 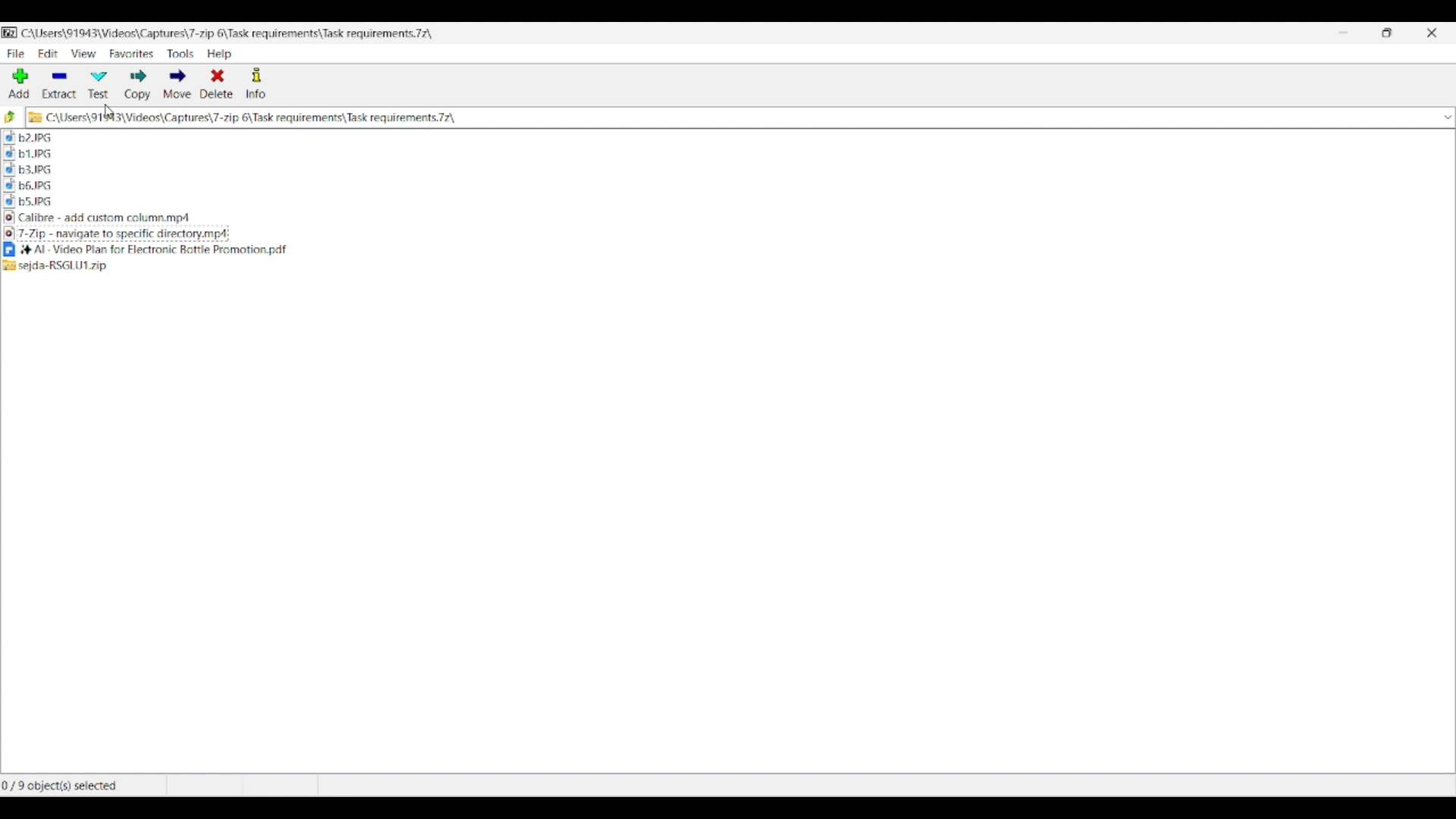 I want to click on file 5 and type, so click(x=414, y=168).